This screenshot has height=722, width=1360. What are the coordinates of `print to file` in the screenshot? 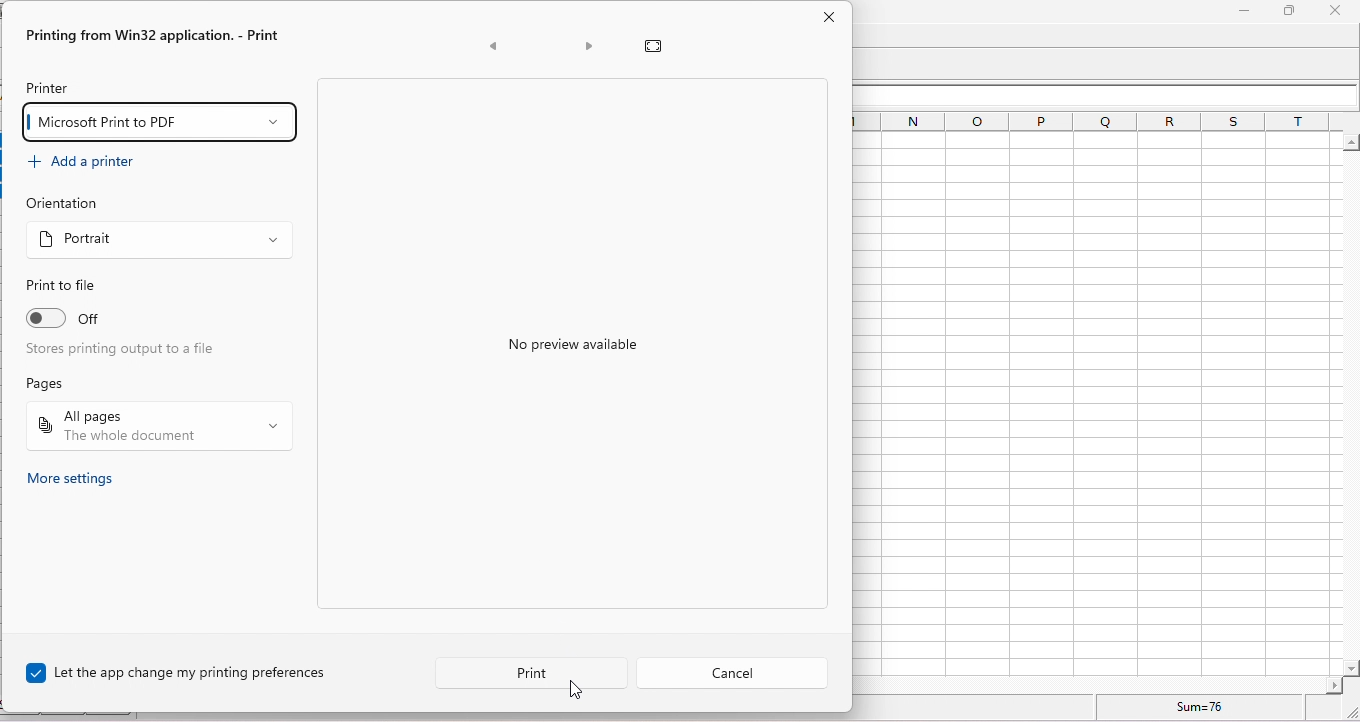 It's located at (66, 286).